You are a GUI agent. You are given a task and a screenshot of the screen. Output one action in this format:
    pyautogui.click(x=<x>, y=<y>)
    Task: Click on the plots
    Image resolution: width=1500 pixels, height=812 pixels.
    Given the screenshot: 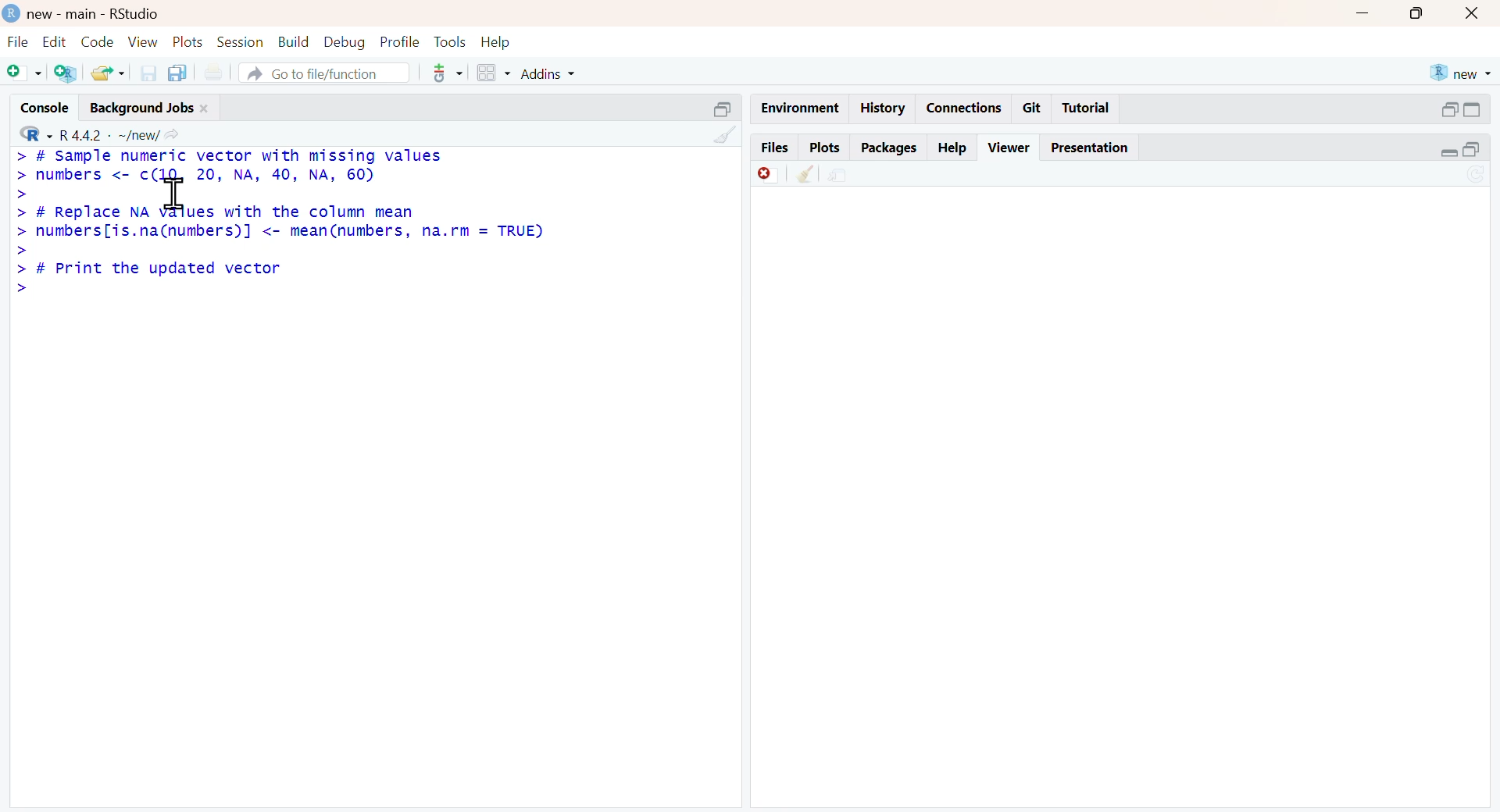 What is the action you would take?
    pyautogui.click(x=189, y=43)
    